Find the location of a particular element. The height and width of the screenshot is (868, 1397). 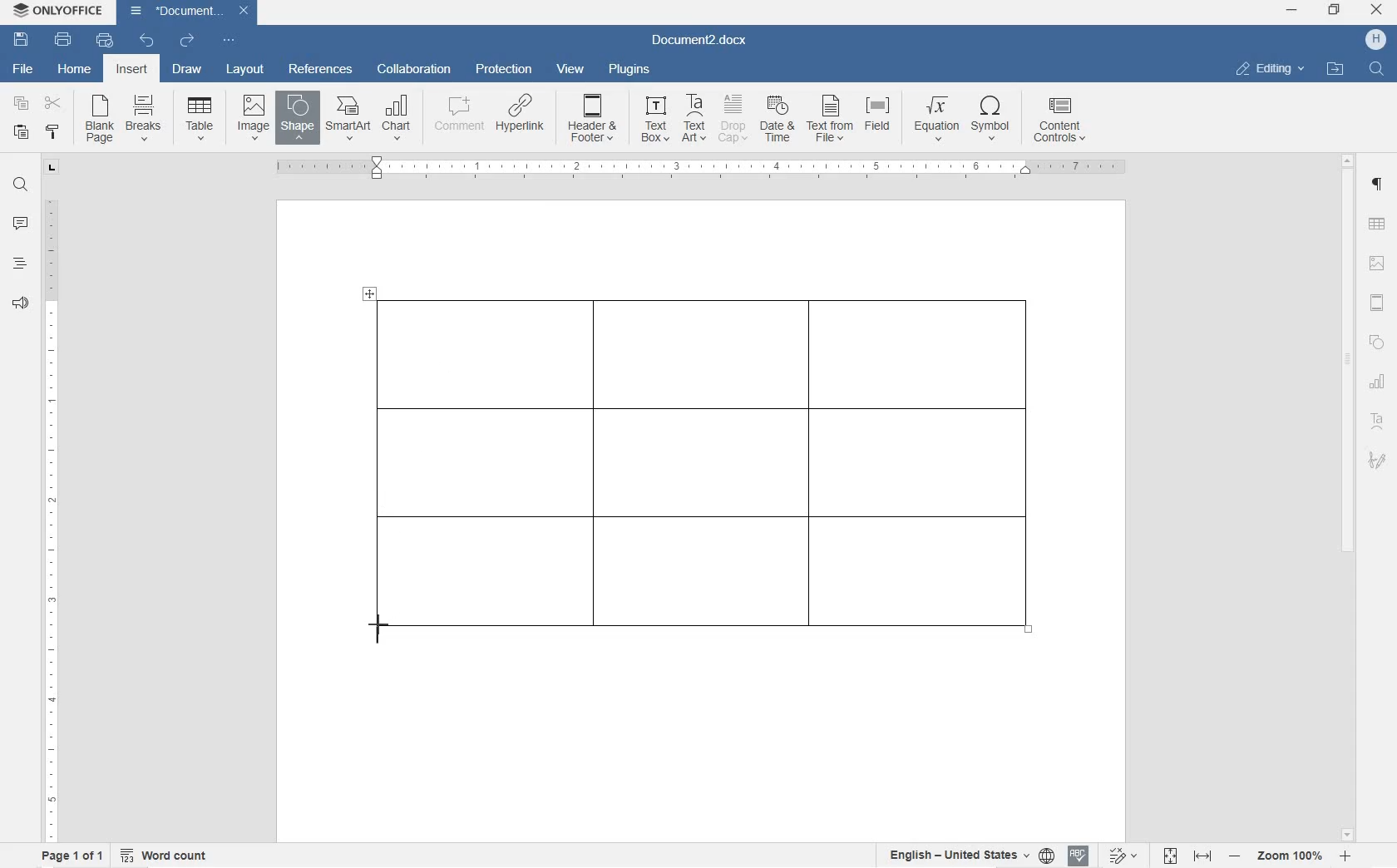

OPEN FILE LOCATION is located at coordinates (1337, 70).